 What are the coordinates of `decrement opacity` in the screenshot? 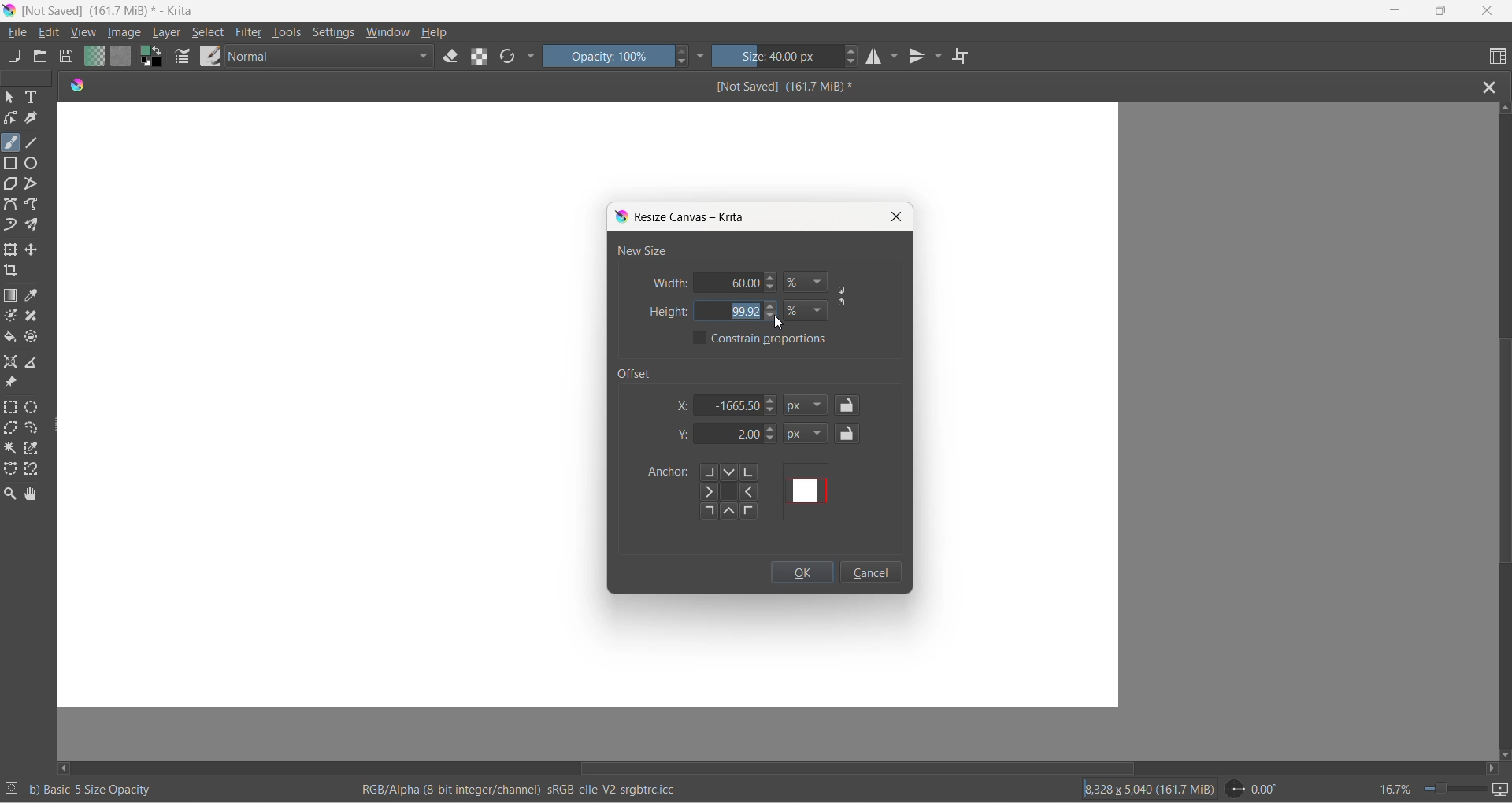 It's located at (684, 65).